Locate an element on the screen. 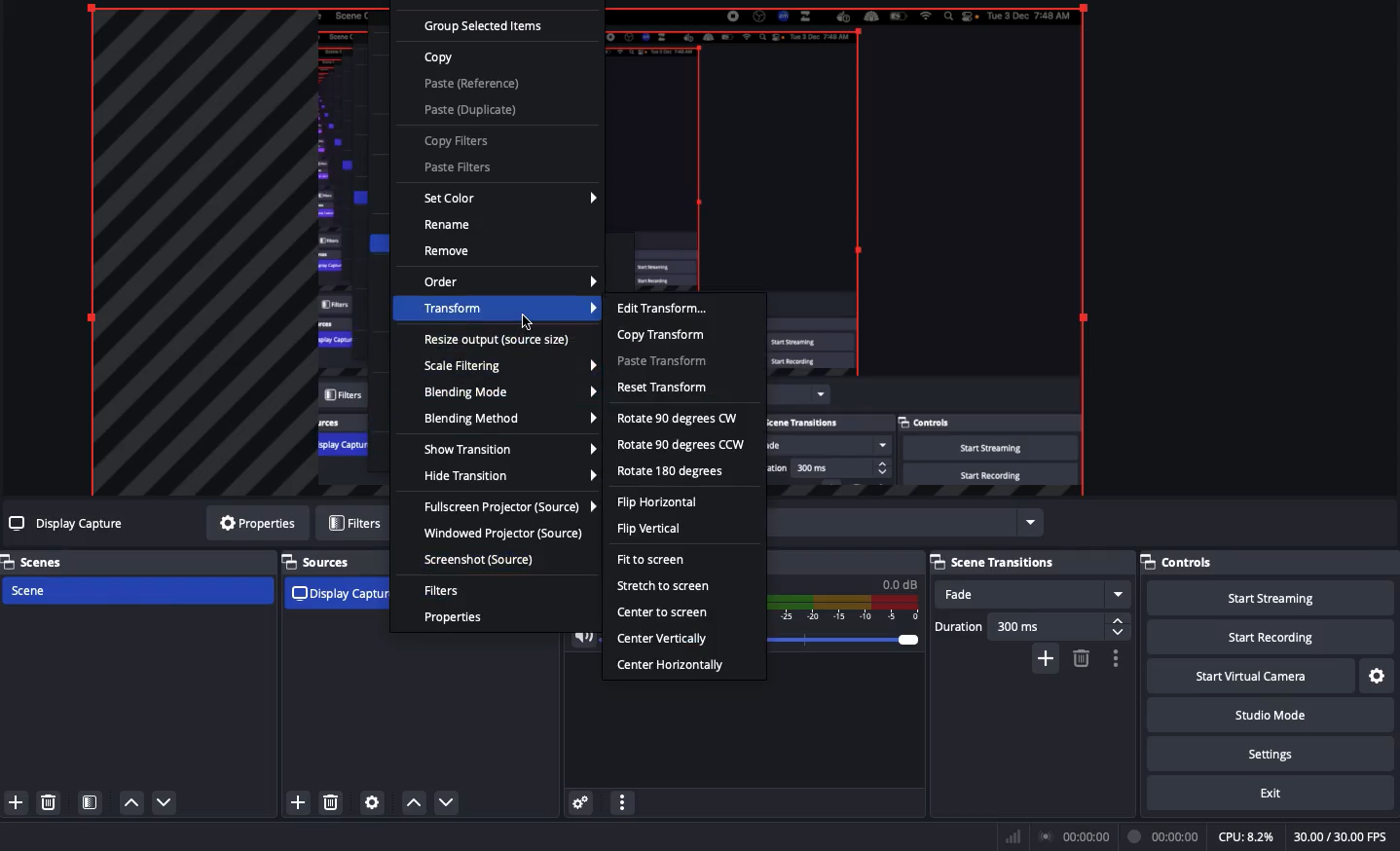 This screenshot has height=851, width=1400. Blending method is located at coordinates (509, 420).